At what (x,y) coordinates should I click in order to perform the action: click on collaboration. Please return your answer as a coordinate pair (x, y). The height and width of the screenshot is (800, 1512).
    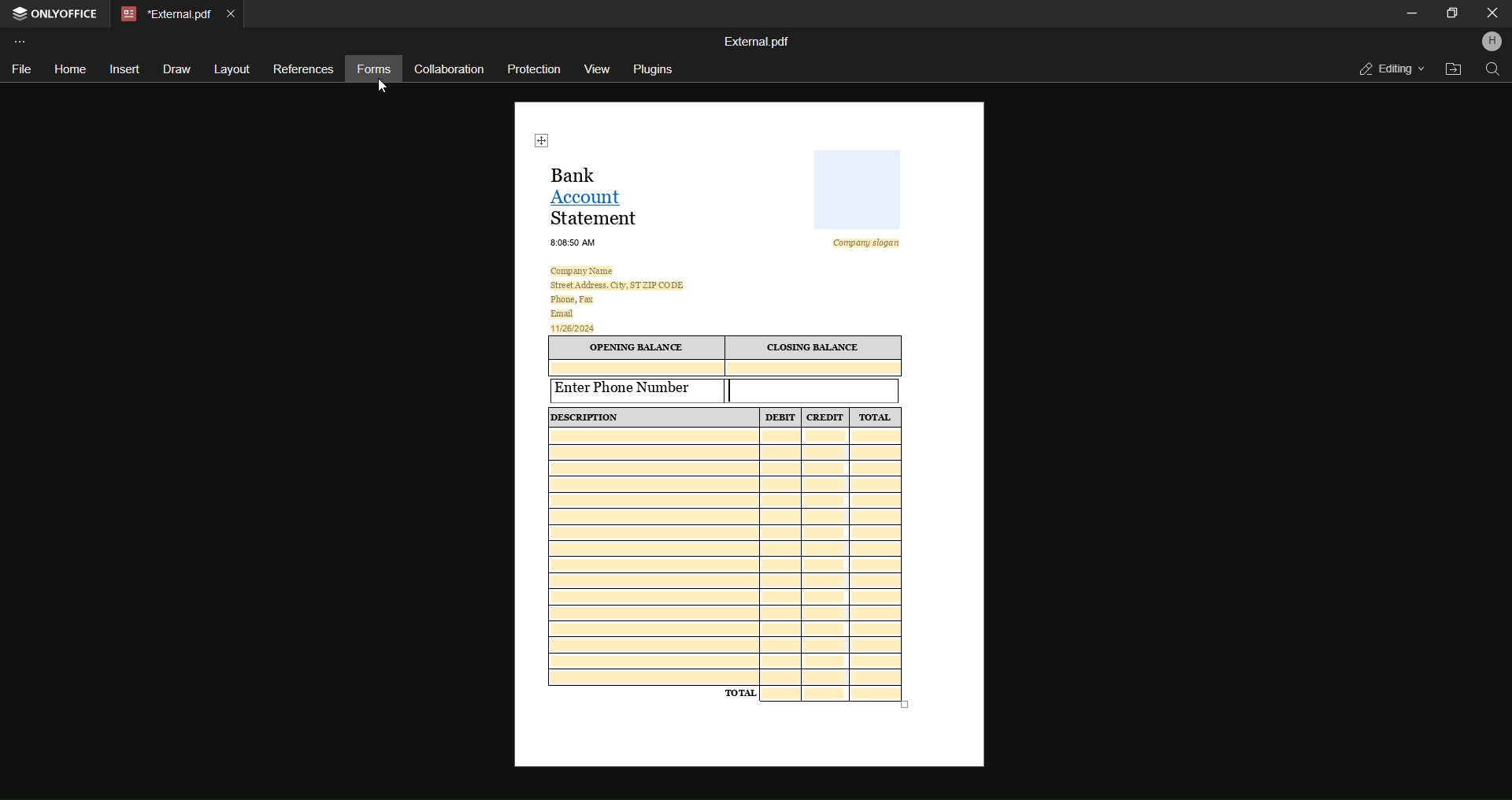
    Looking at the image, I should click on (450, 67).